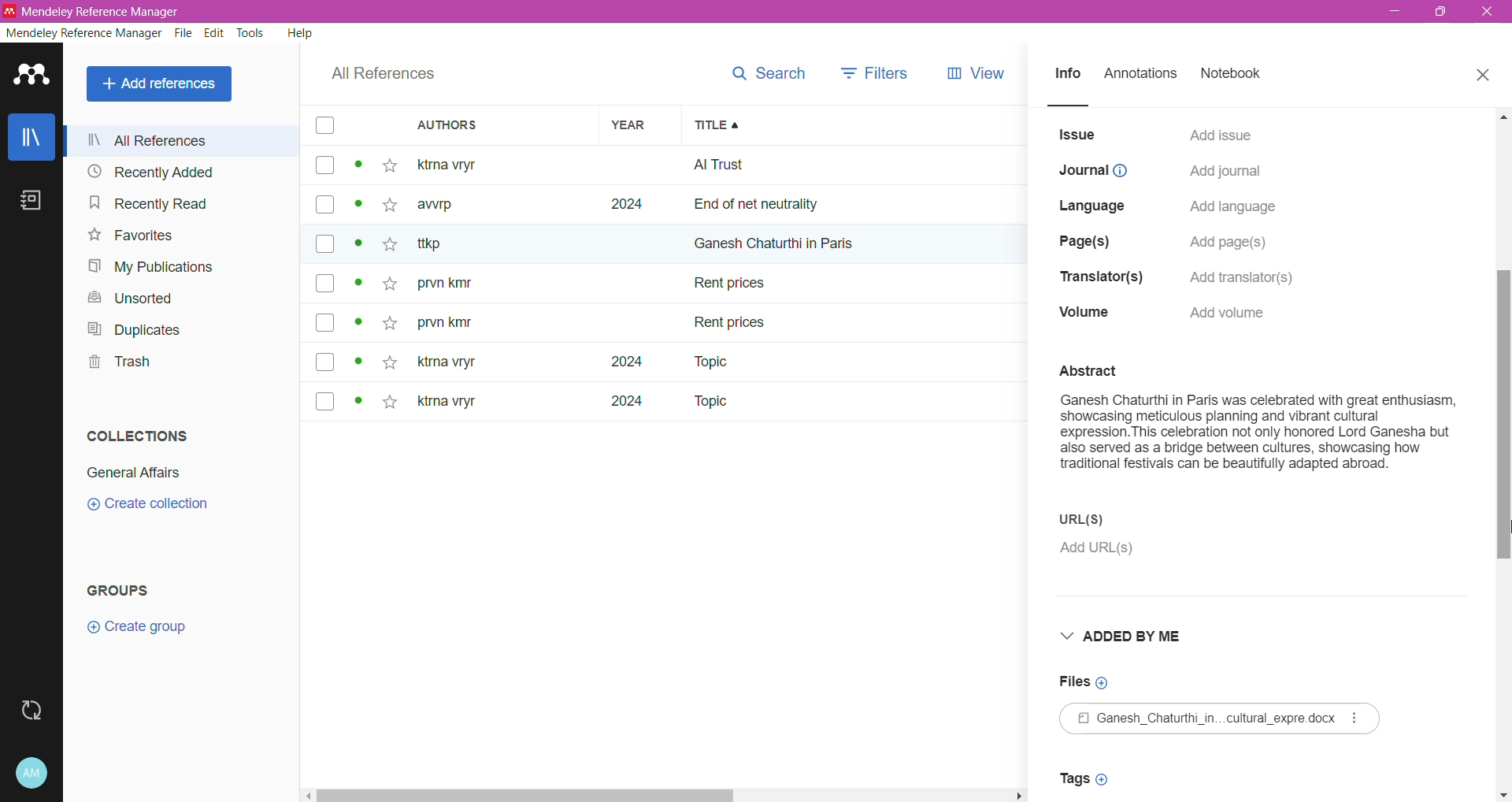 The image size is (1512, 802). What do you see at coordinates (504, 126) in the screenshot?
I see `Authors` at bounding box center [504, 126].